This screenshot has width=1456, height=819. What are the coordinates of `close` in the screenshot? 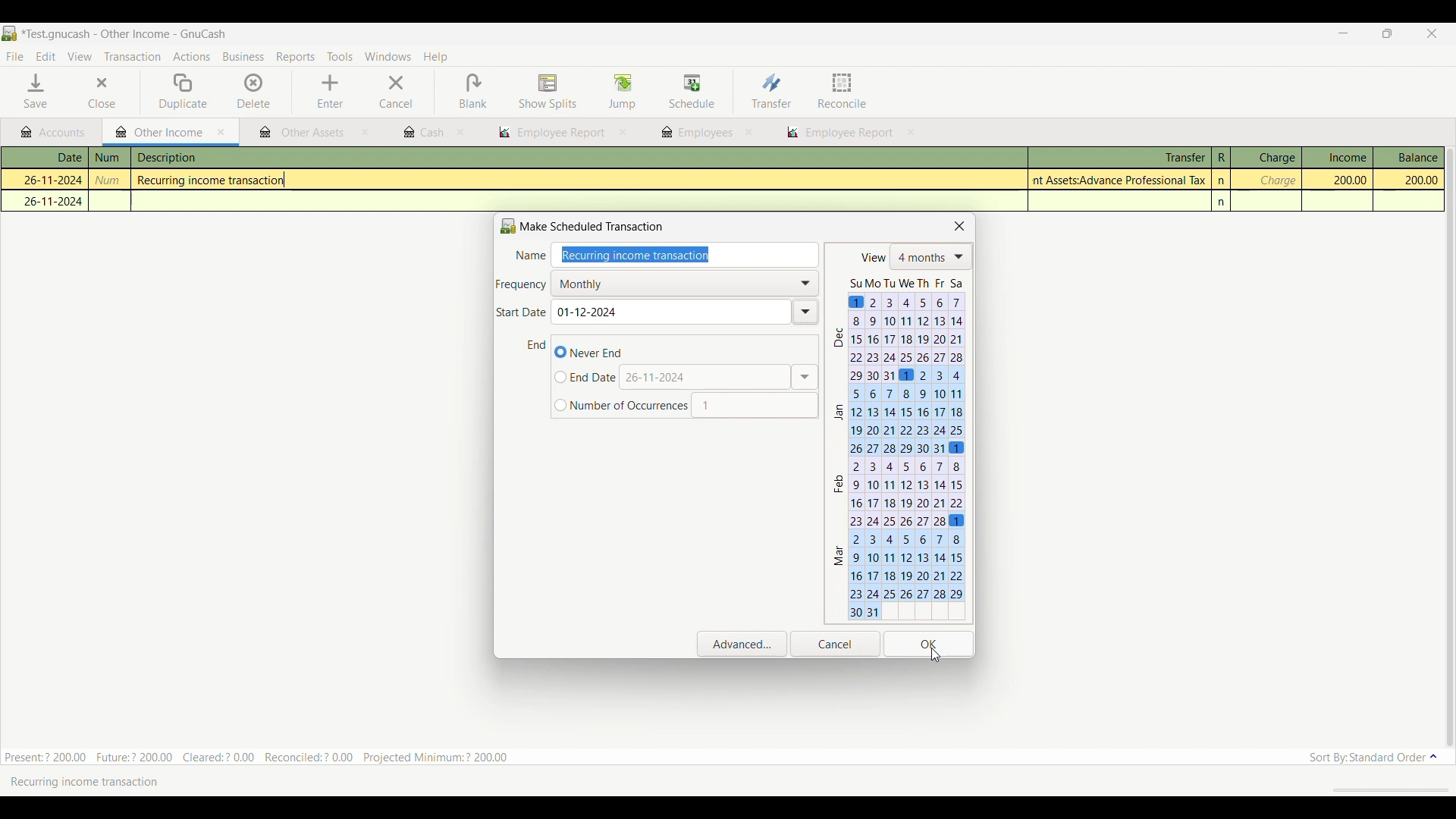 It's located at (748, 132).